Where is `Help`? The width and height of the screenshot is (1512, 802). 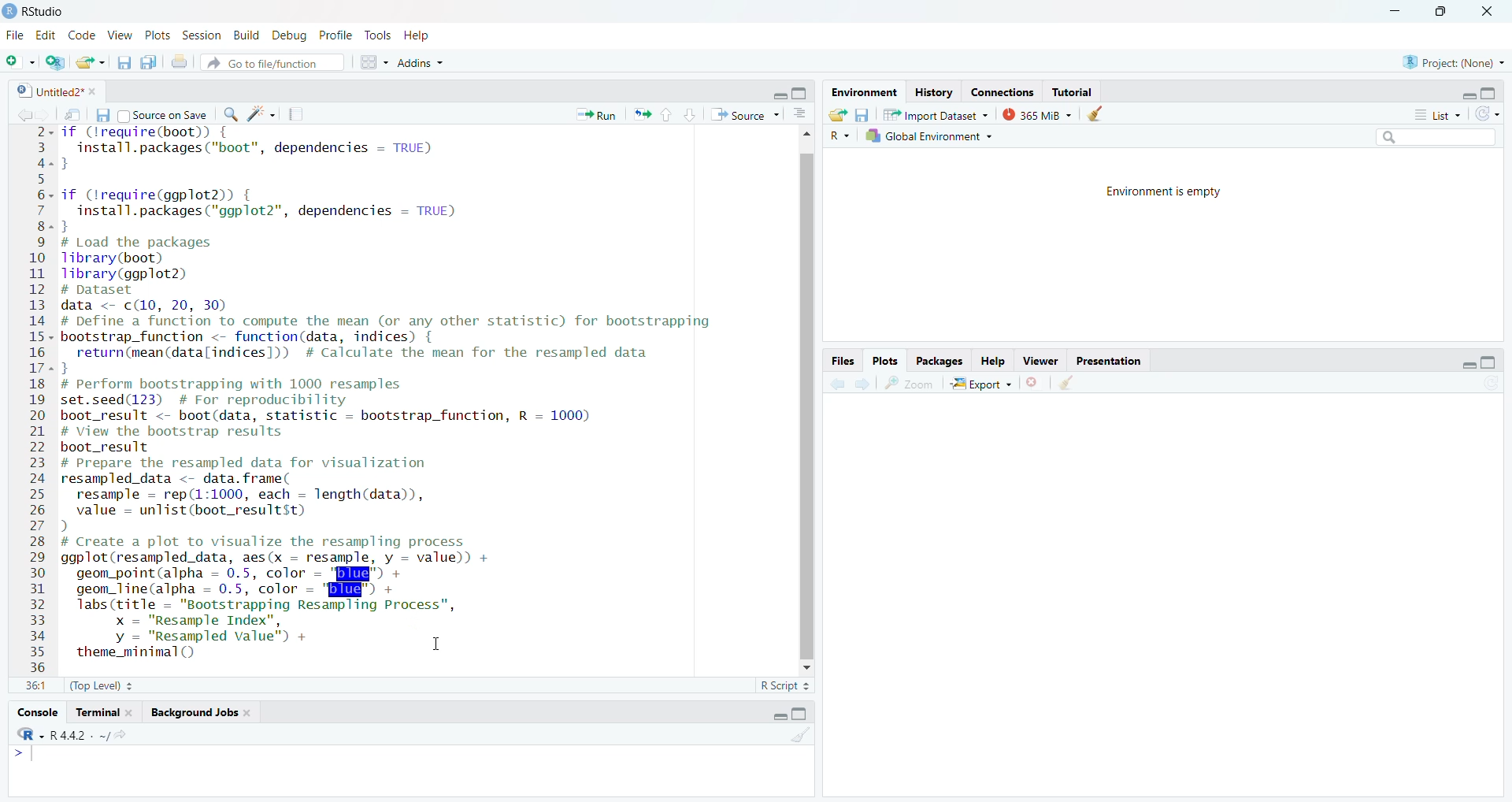 Help is located at coordinates (991, 360).